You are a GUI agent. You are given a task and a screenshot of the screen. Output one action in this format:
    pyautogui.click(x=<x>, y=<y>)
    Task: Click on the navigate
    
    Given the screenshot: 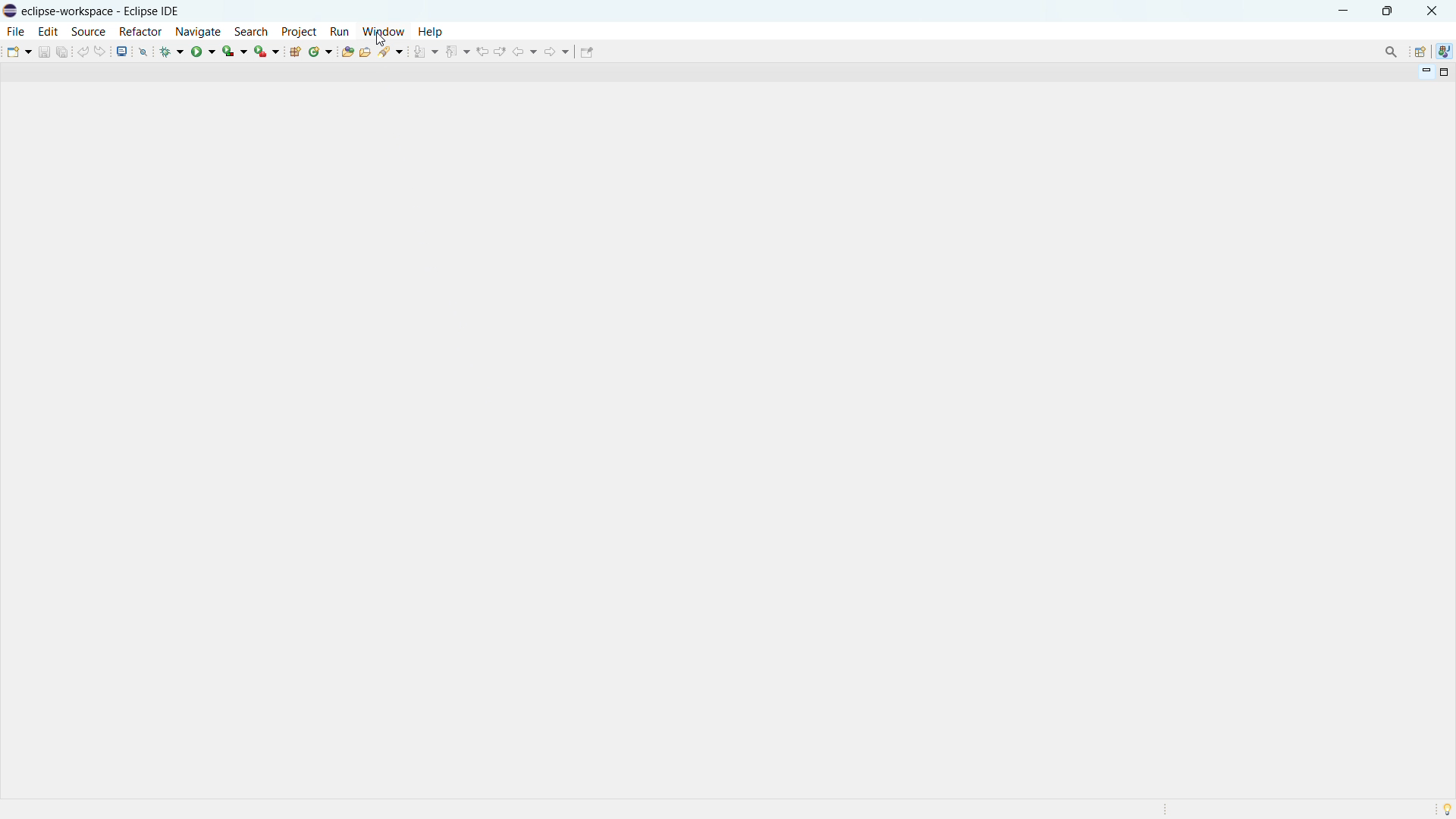 What is the action you would take?
    pyautogui.click(x=198, y=31)
    